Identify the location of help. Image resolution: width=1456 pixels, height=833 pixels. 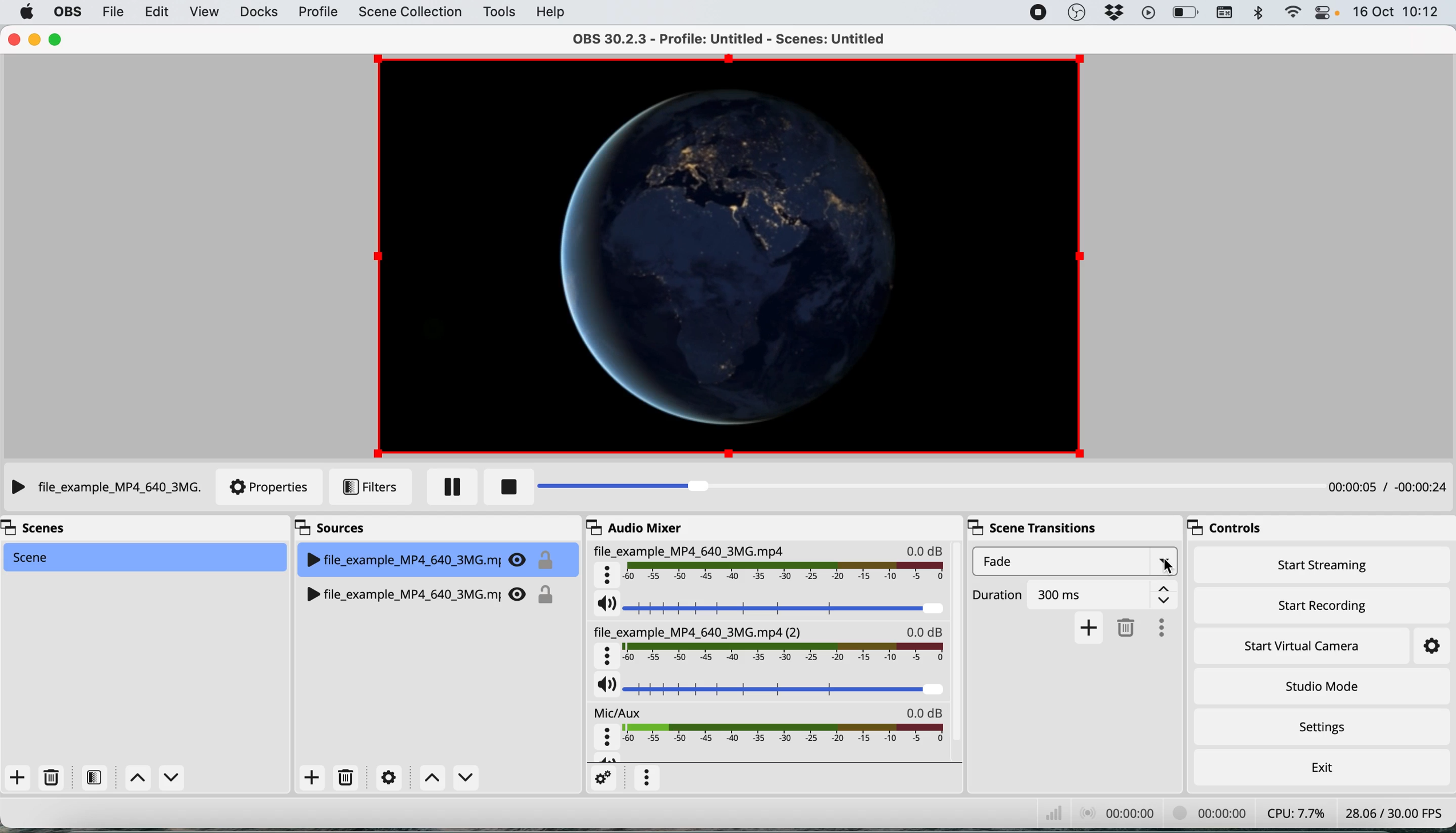
(554, 11).